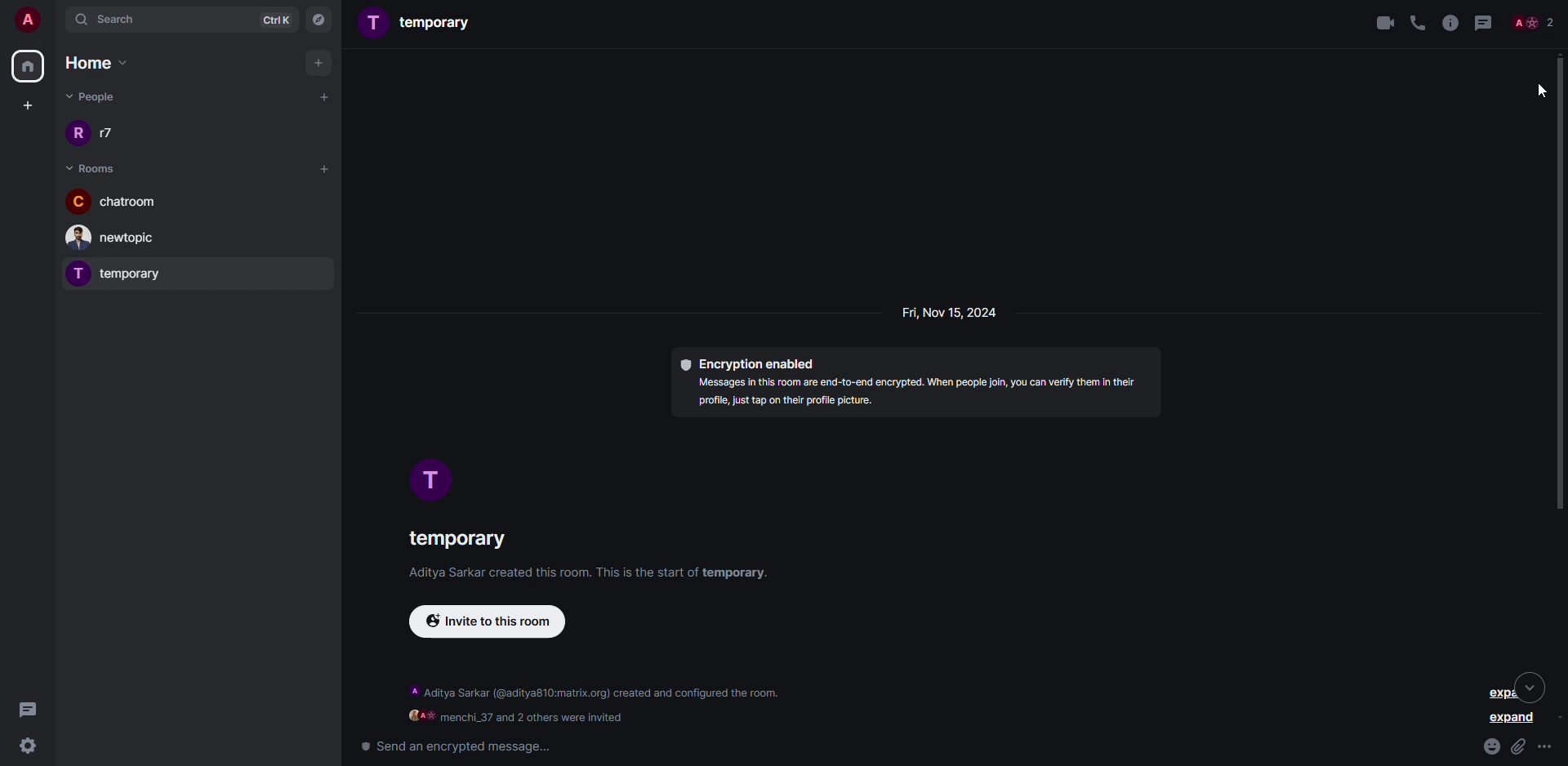  Describe the element at coordinates (275, 19) in the screenshot. I see `ctrlK` at that location.